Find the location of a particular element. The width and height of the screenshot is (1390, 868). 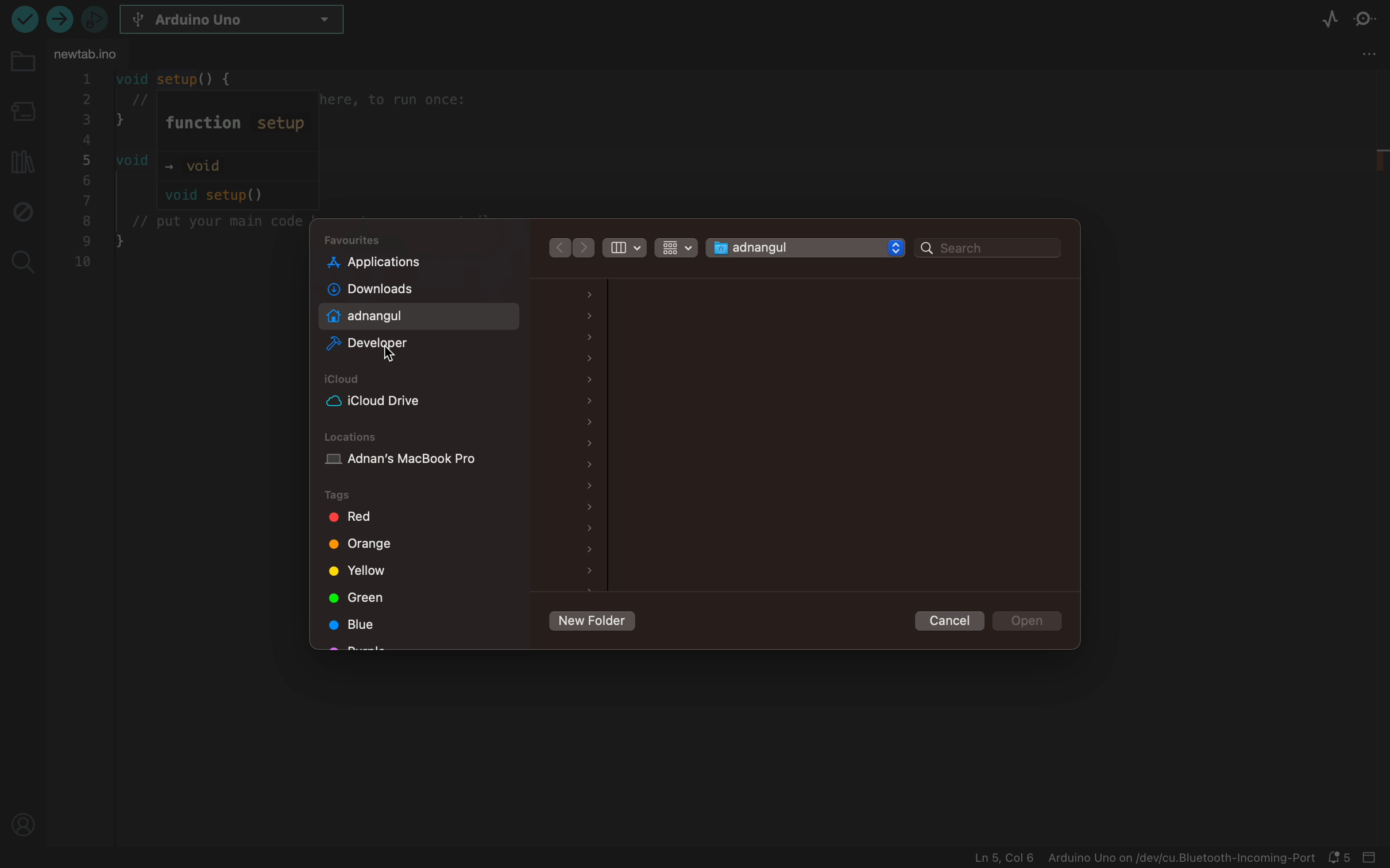

notification is located at coordinates (1342, 858).